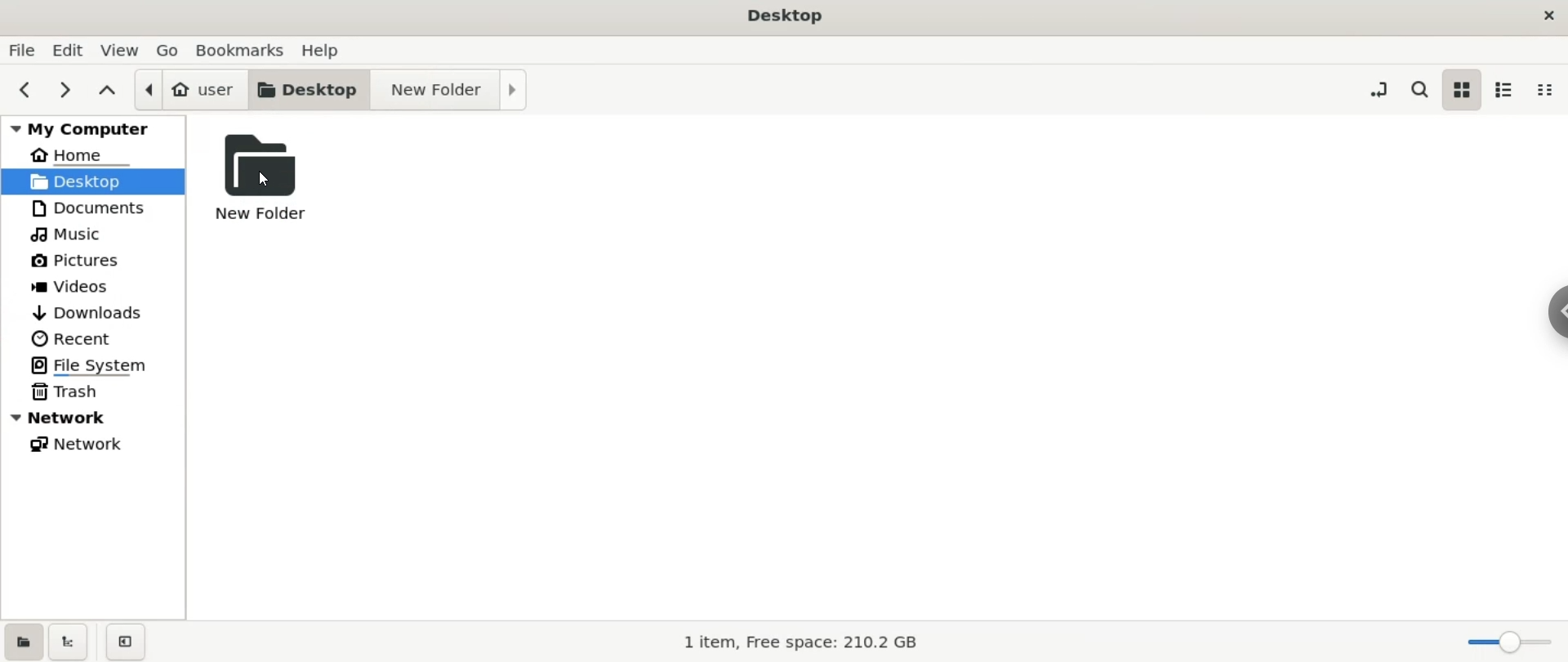 This screenshot has width=1568, height=662. Describe the element at coordinates (23, 88) in the screenshot. I see `pervious` at that location.